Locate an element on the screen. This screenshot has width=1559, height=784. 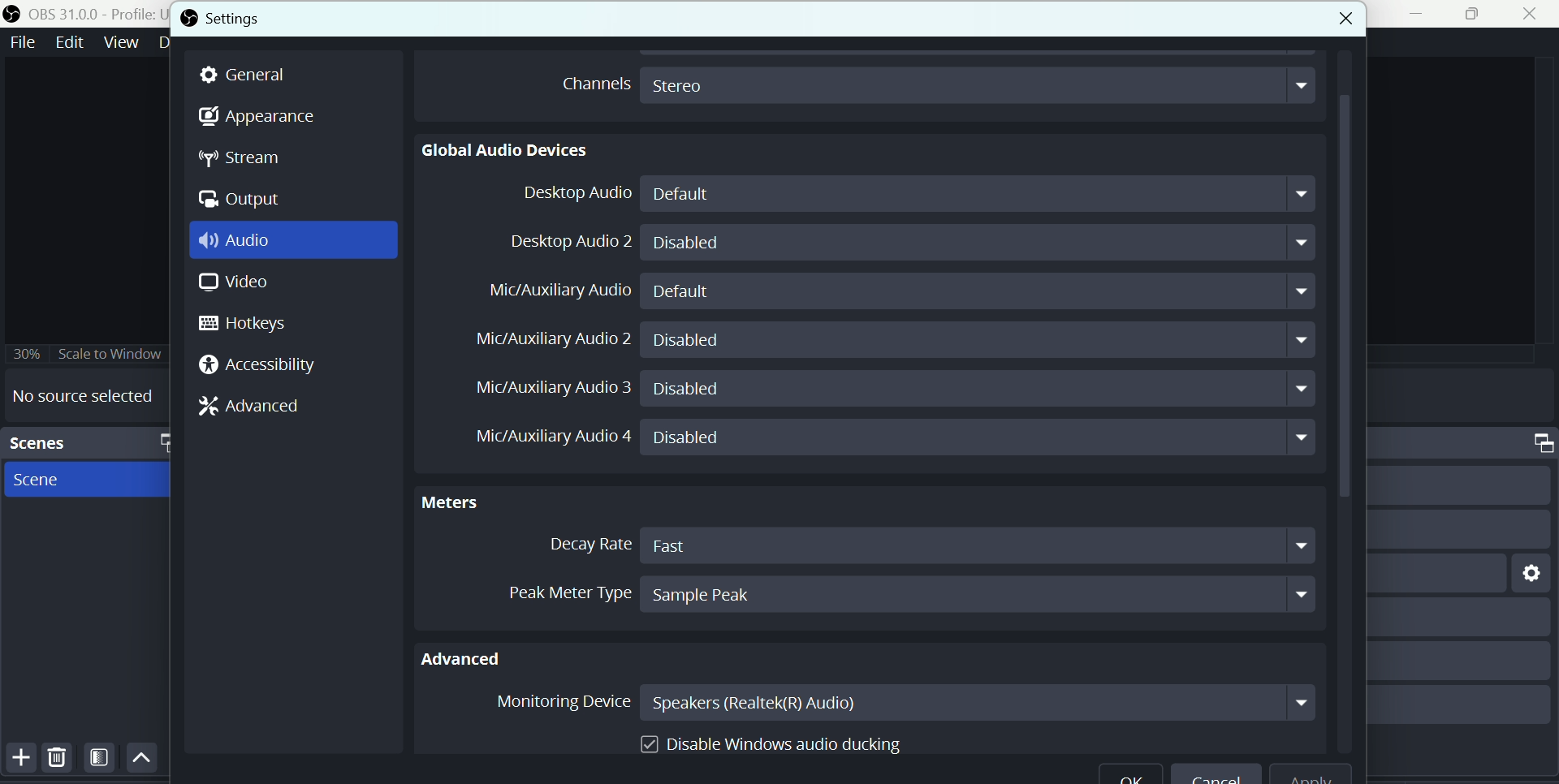
 is located at coordinates (18, 759).